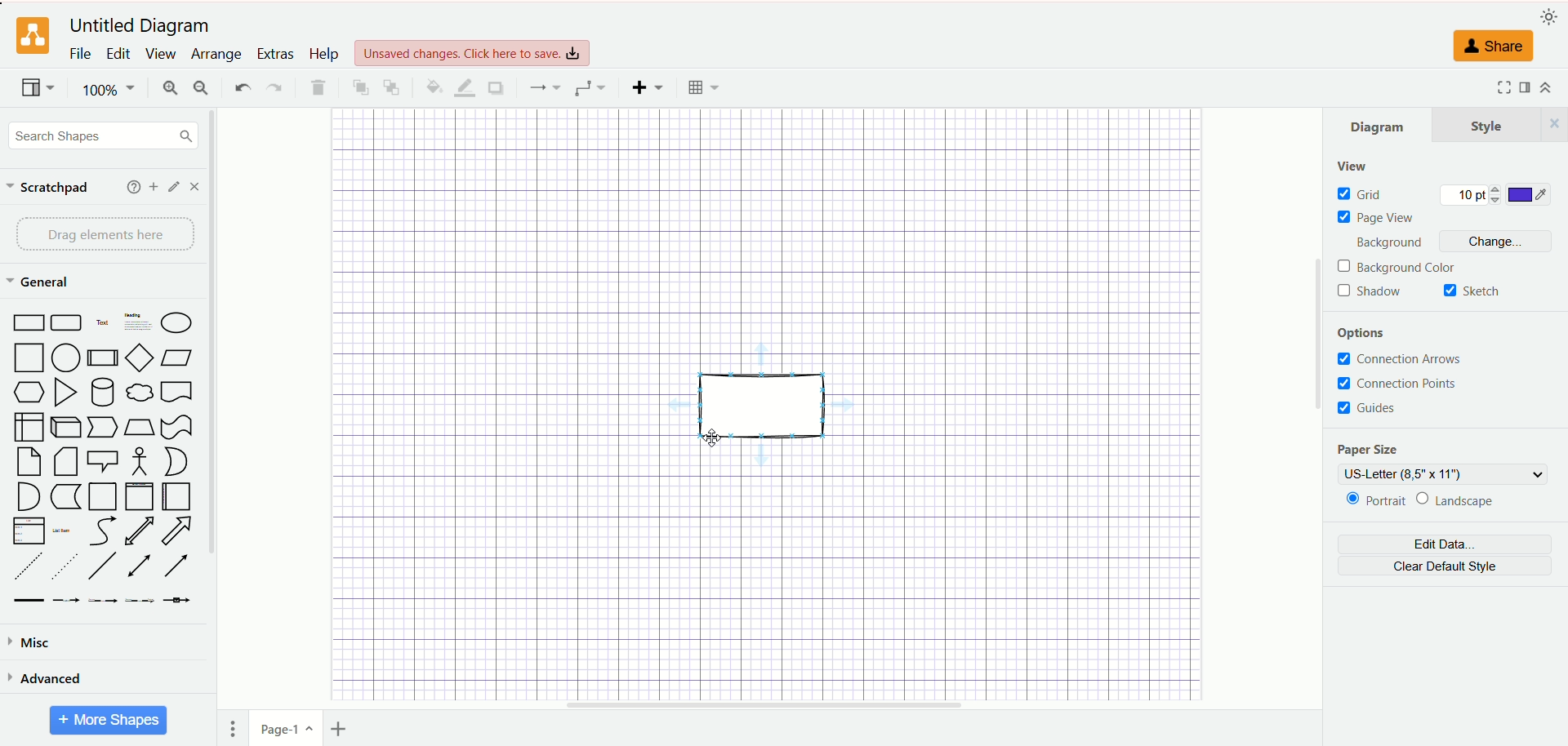 The width and height of the screenshot is (1568, 746). What do you see at coordinates (1531, 193) in the screenshot?
I see `color` at bounding box center [1531, 193].